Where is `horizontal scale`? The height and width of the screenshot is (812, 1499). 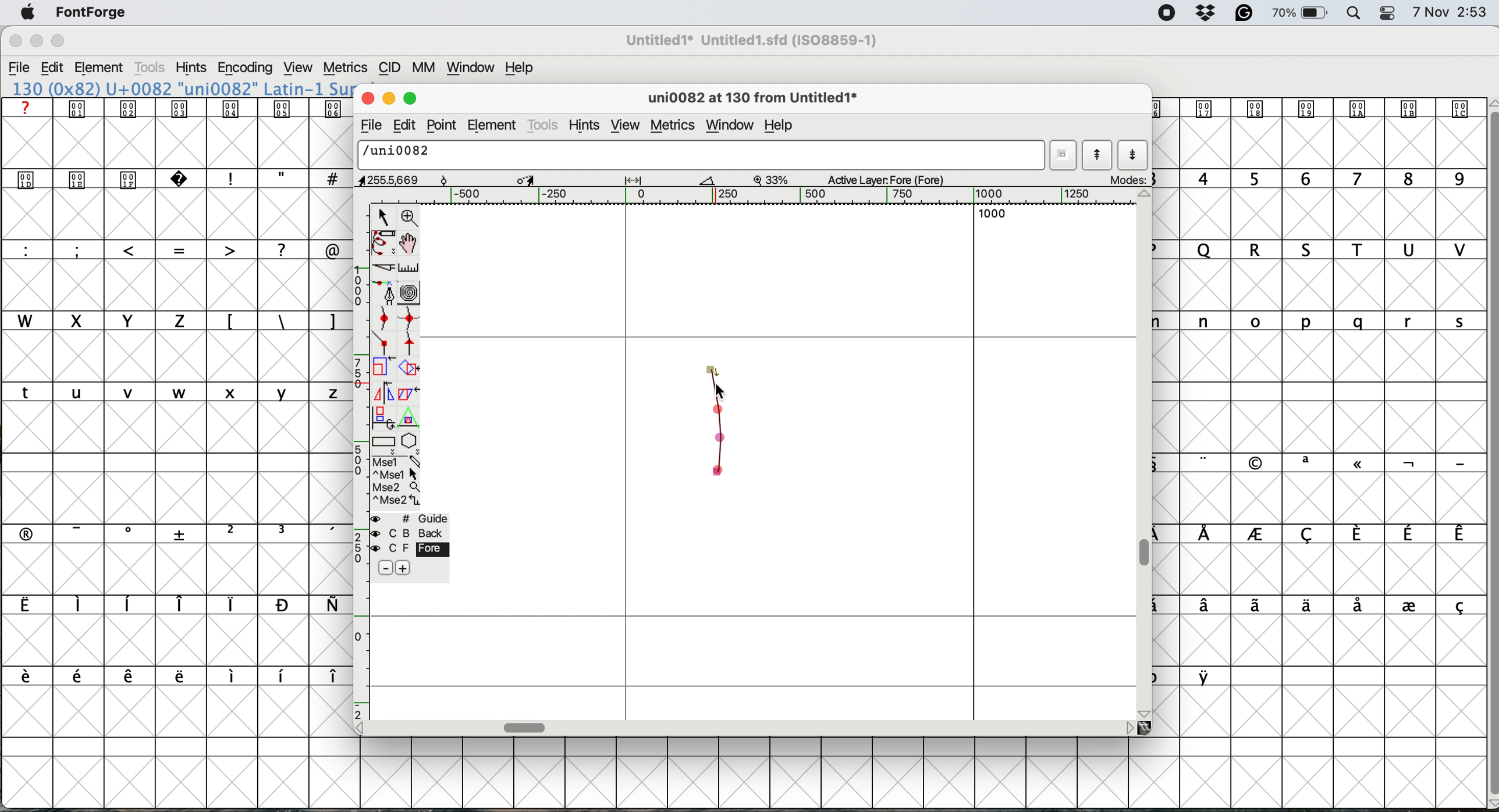
horizontal scale is located at coordinates (777, 196).